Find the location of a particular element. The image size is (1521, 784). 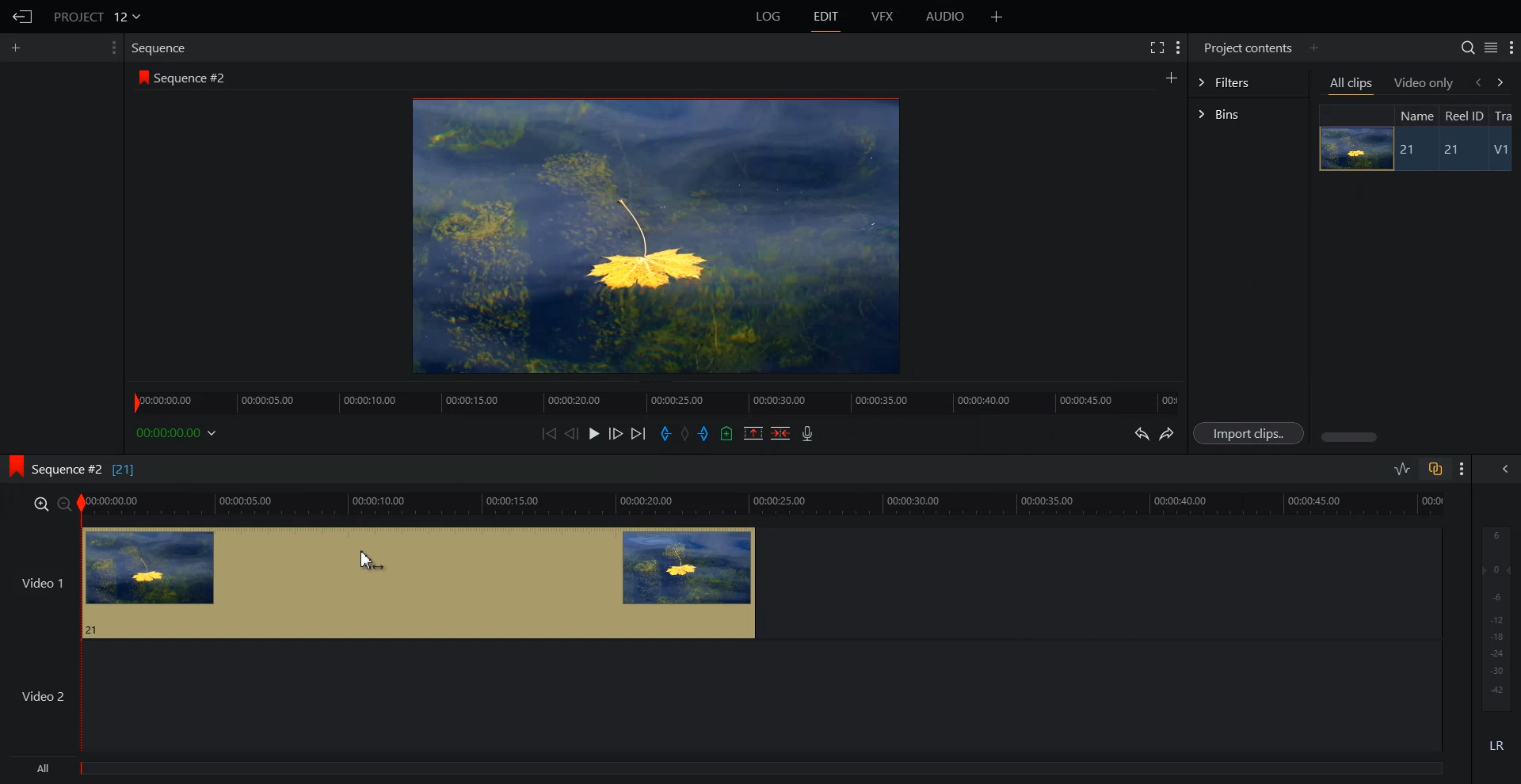

Move forward is located at coordinates (639, 434).